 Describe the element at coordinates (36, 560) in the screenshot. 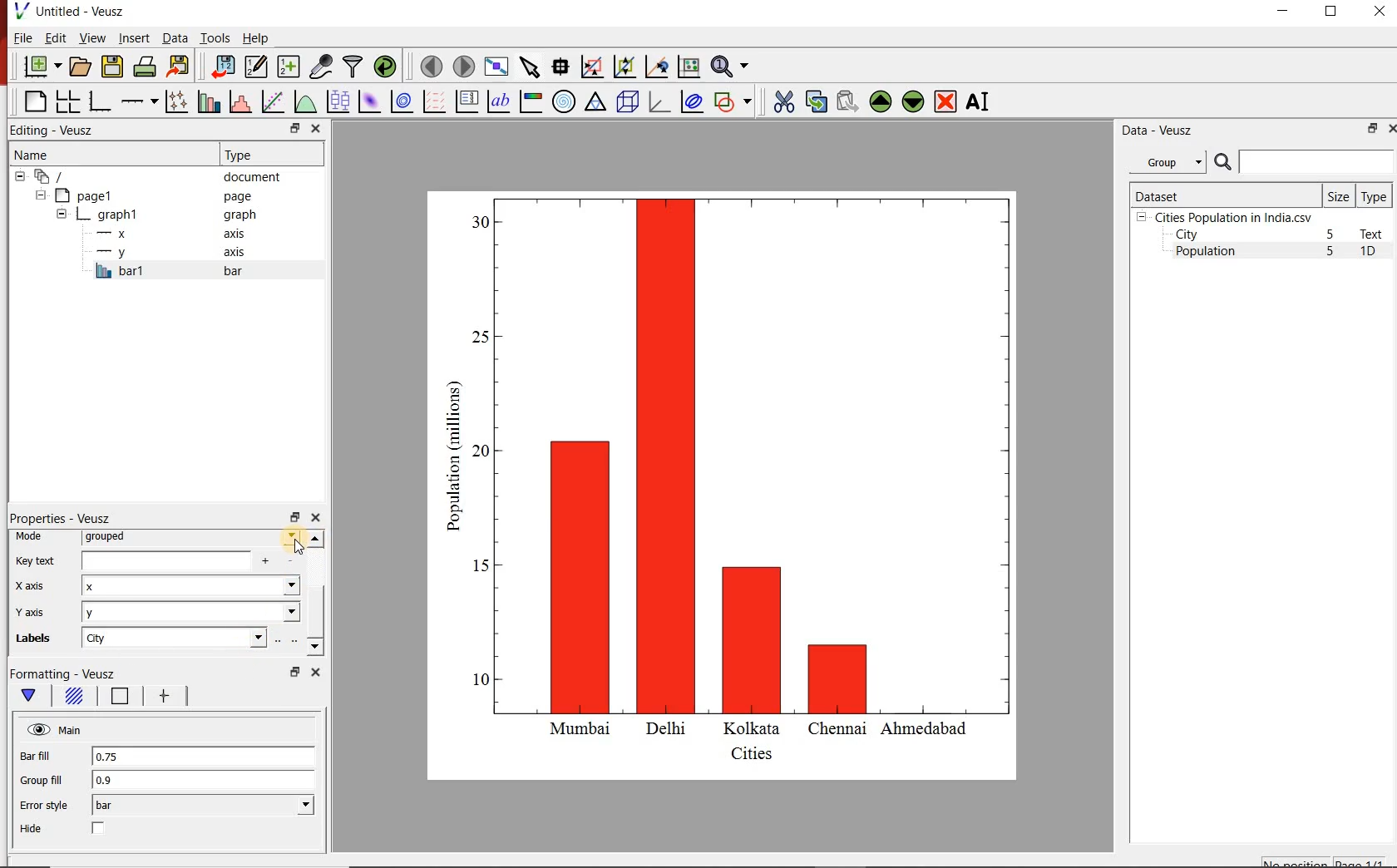

I see `key text` at that location.